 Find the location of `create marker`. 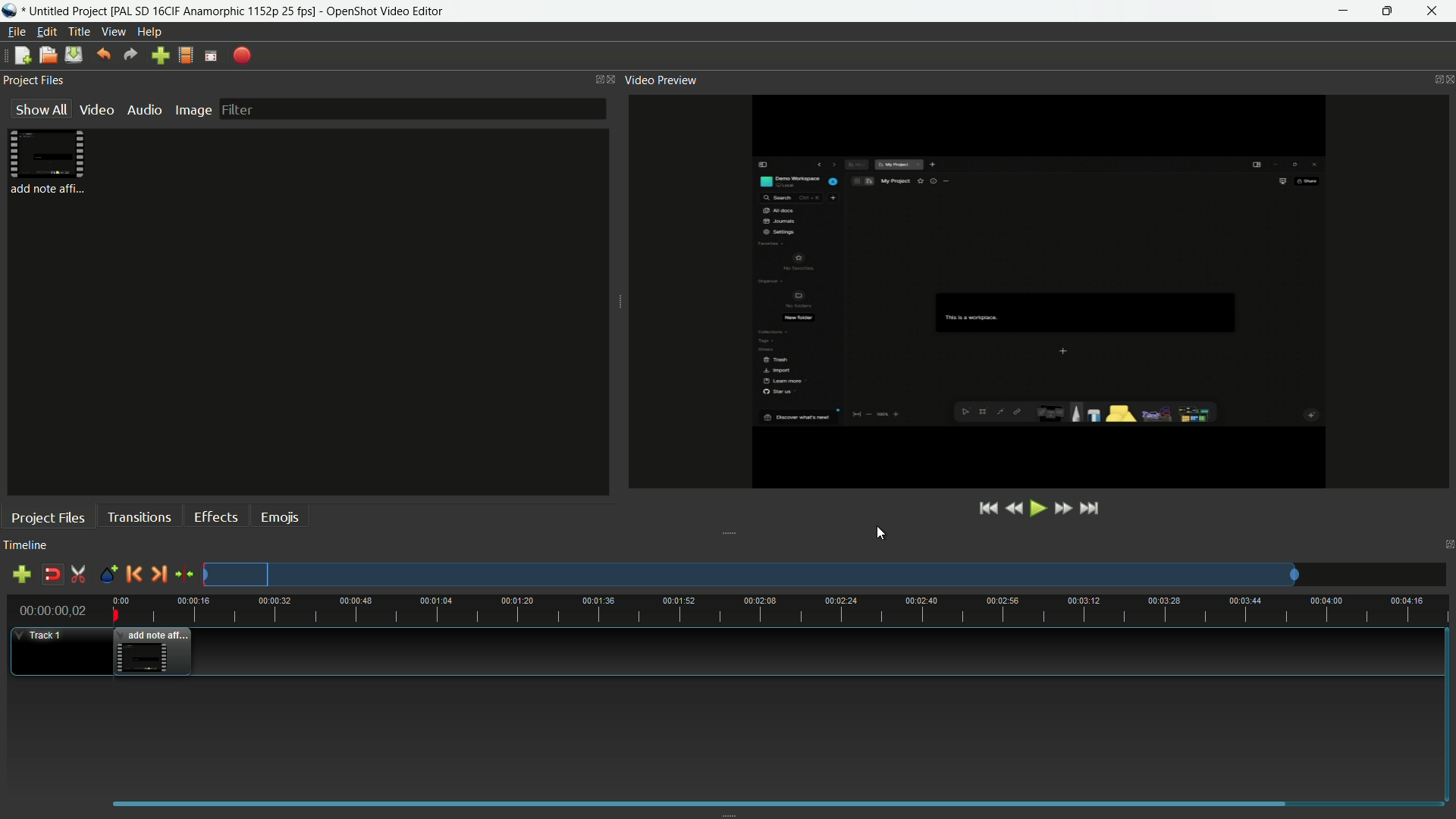

create marker is located at coordinates (108, 575).